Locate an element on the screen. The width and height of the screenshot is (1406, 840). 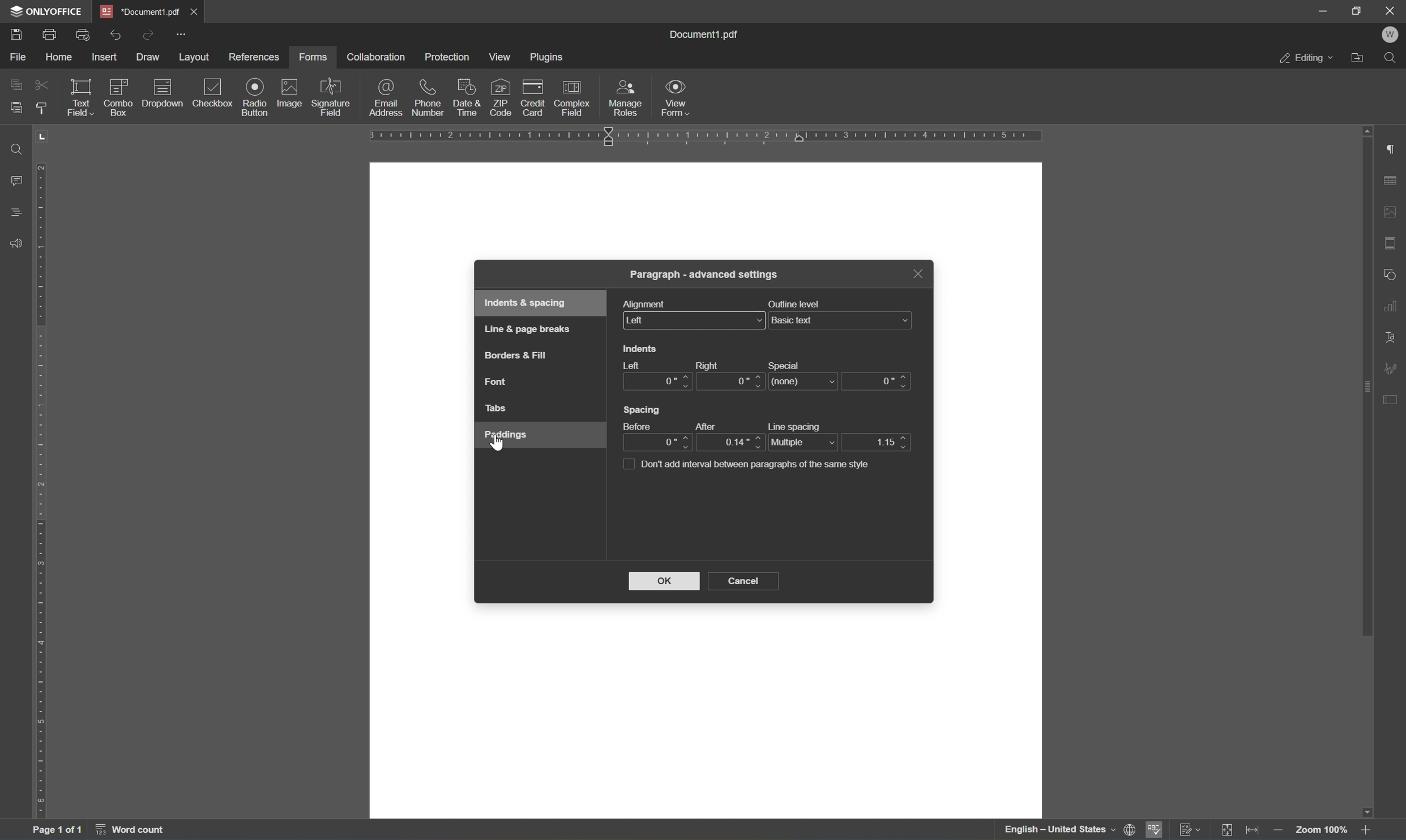
credit card is located at coordinates (533, 97).